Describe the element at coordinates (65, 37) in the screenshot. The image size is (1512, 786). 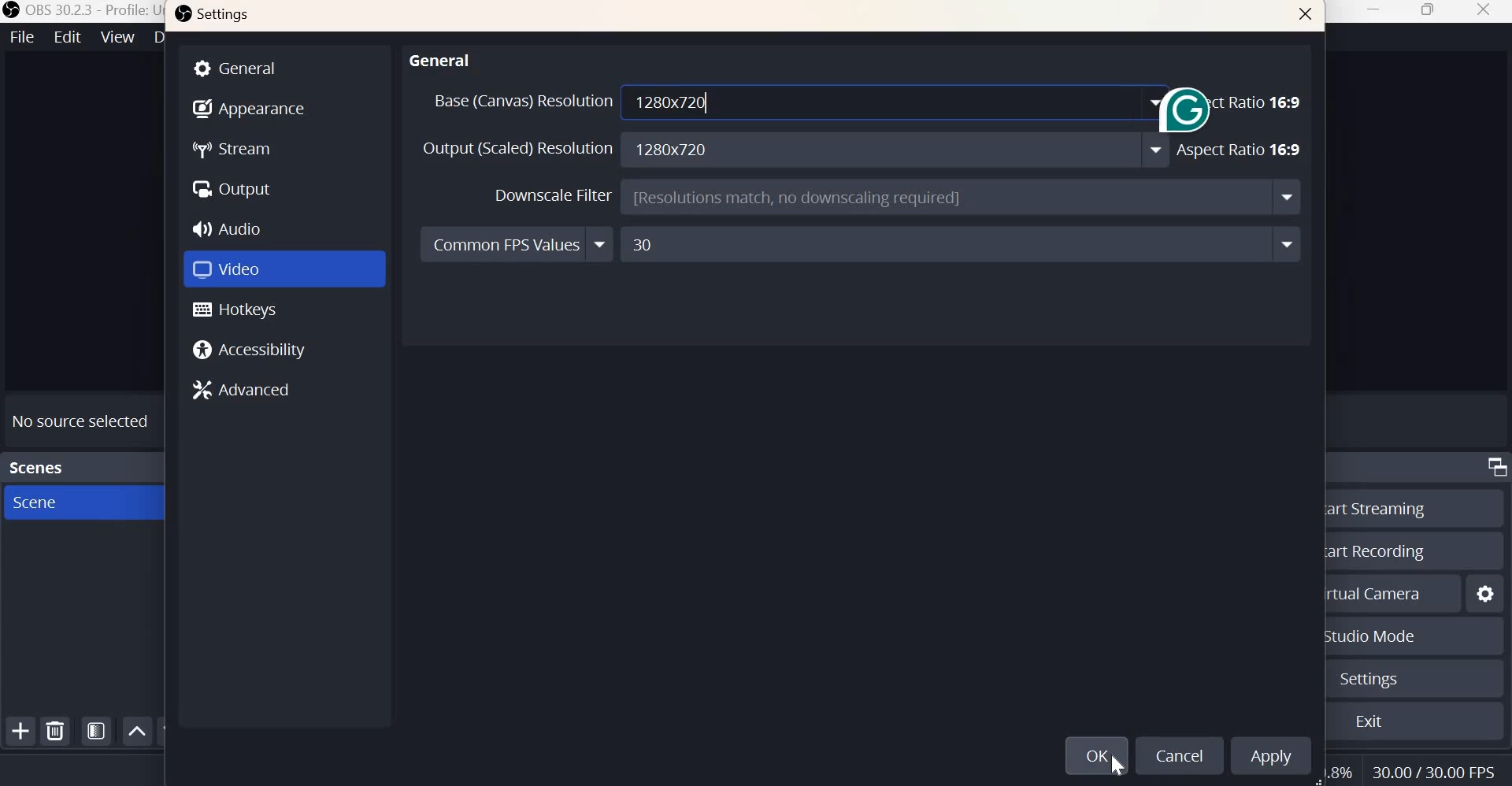
I see `Edit` at that location.